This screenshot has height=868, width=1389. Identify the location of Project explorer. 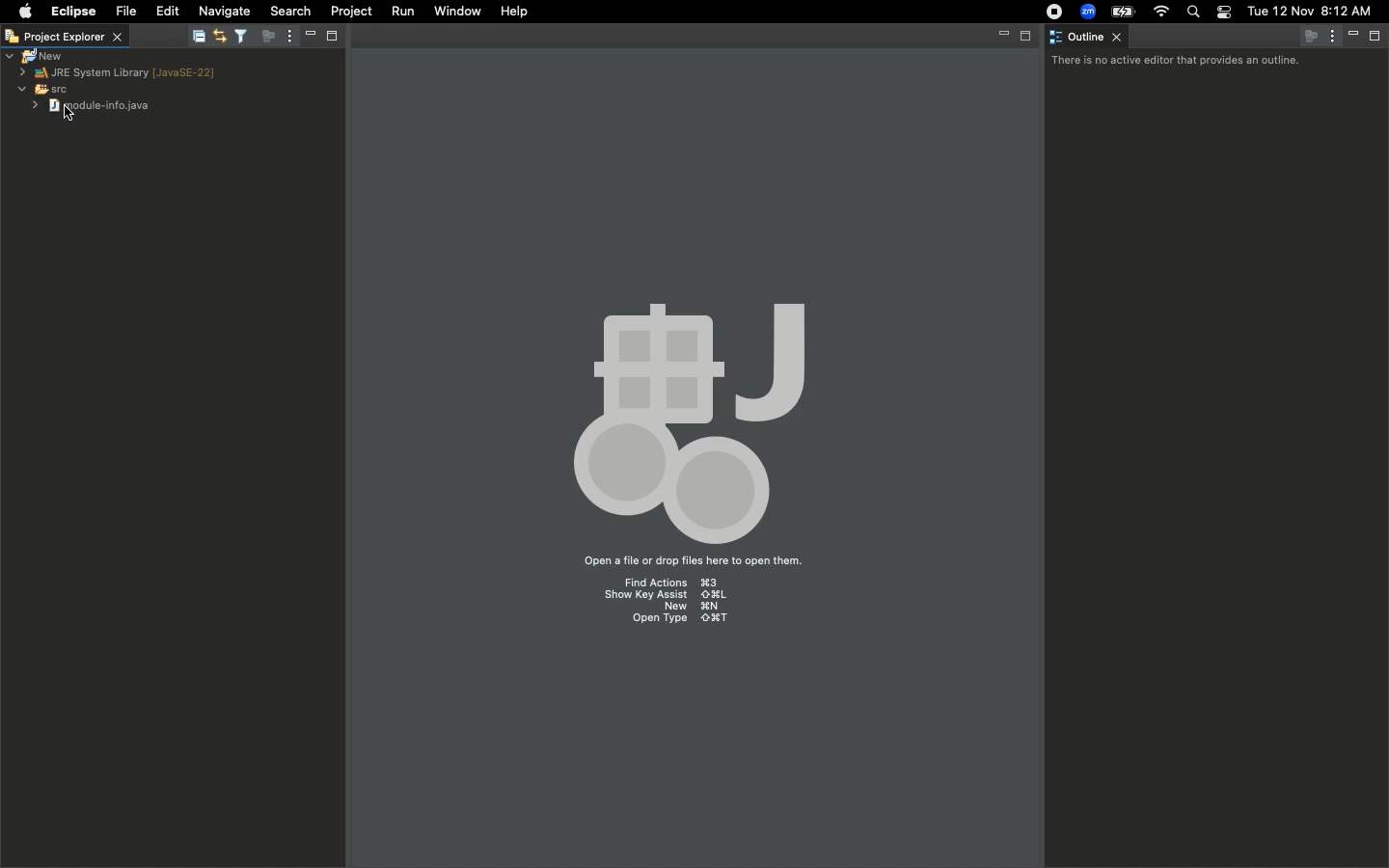
(68, 35).